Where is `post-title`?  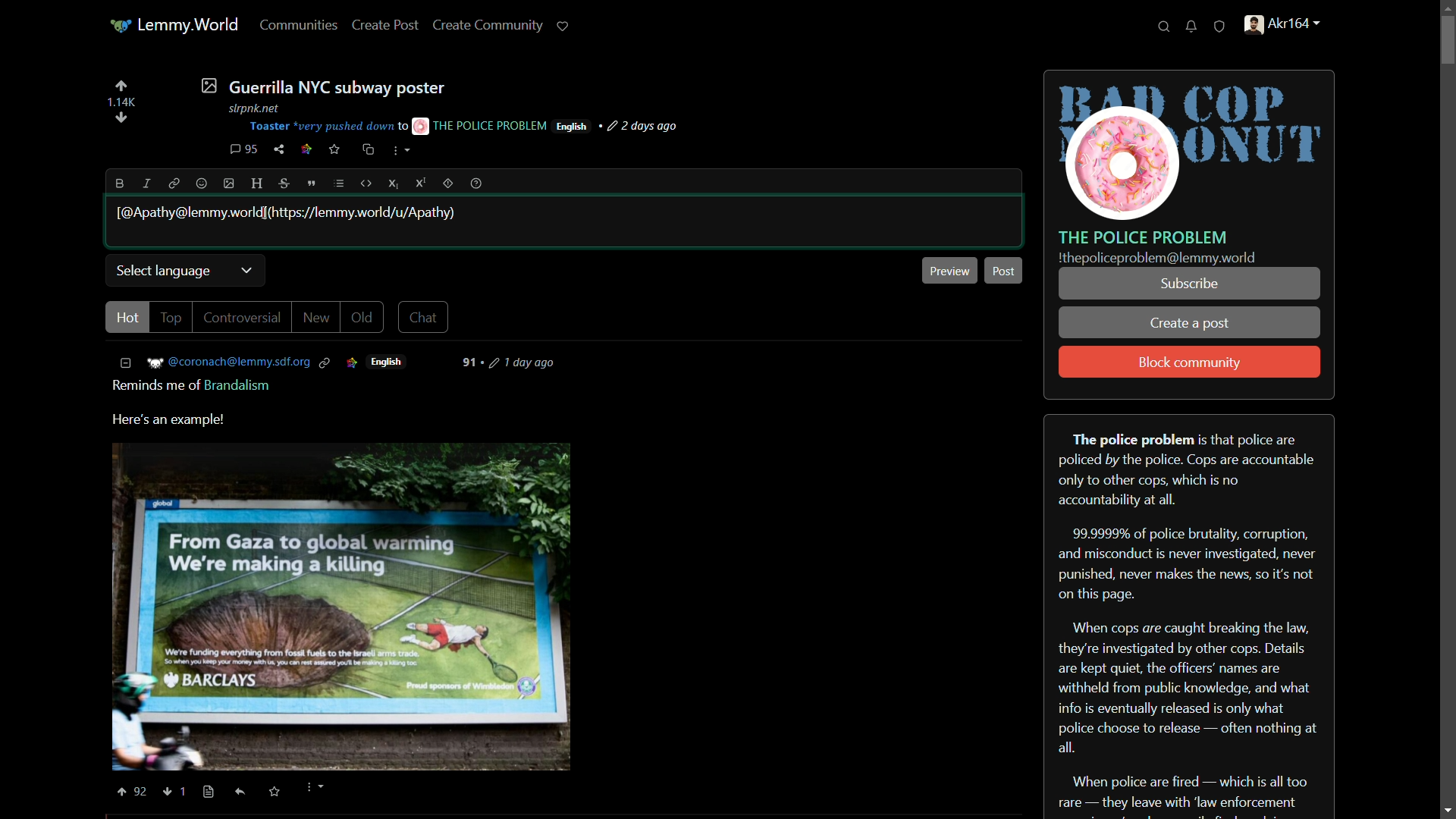
post-title is located at coordinates (322, 86).